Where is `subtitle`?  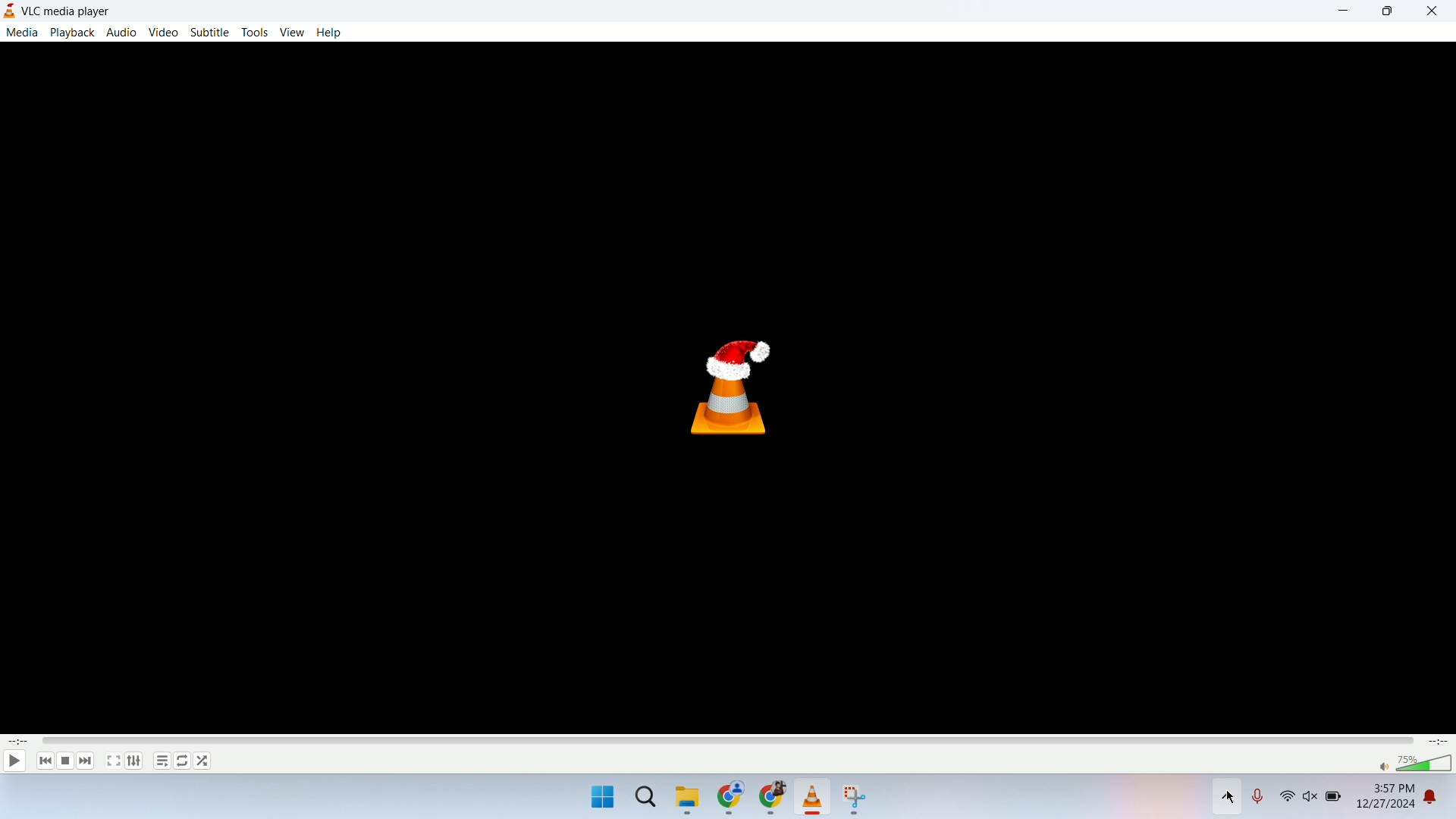
subtitle is located at coordinates (209, 32).